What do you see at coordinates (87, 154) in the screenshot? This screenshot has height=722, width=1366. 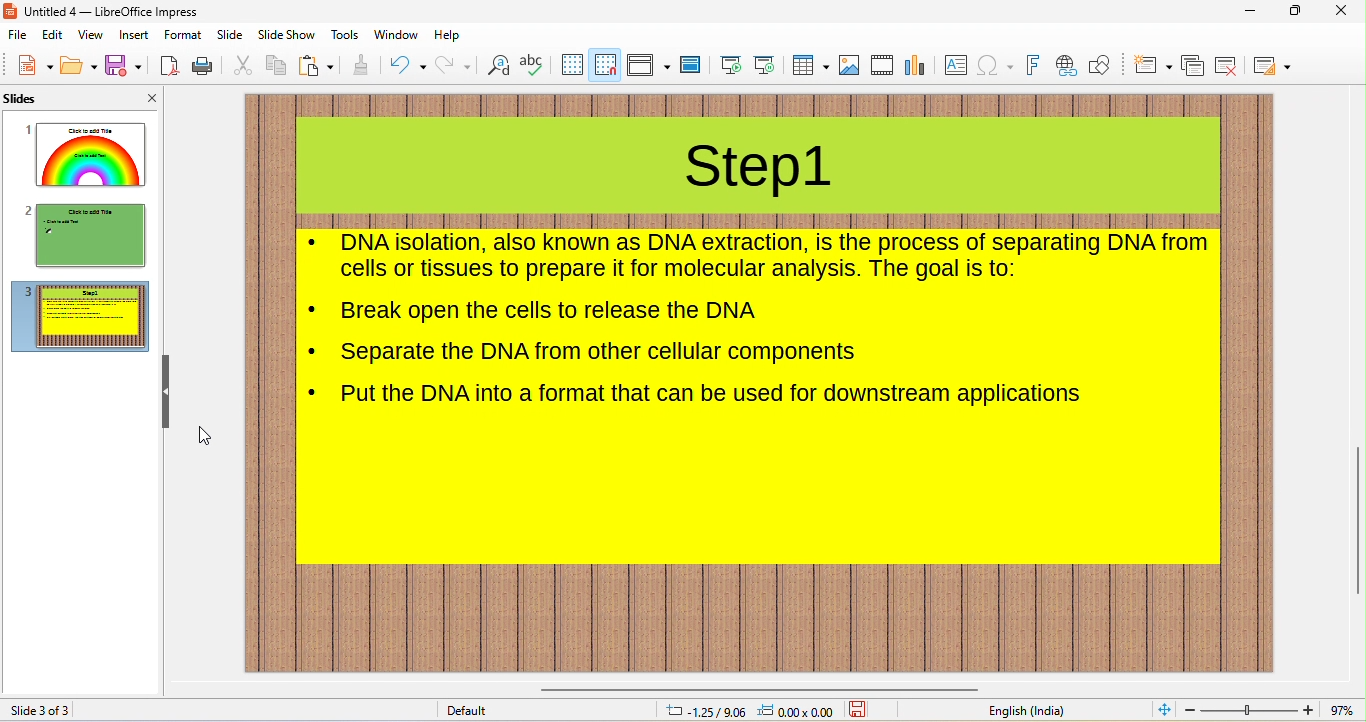 I see `slide1` at bounding box center [87, 154].